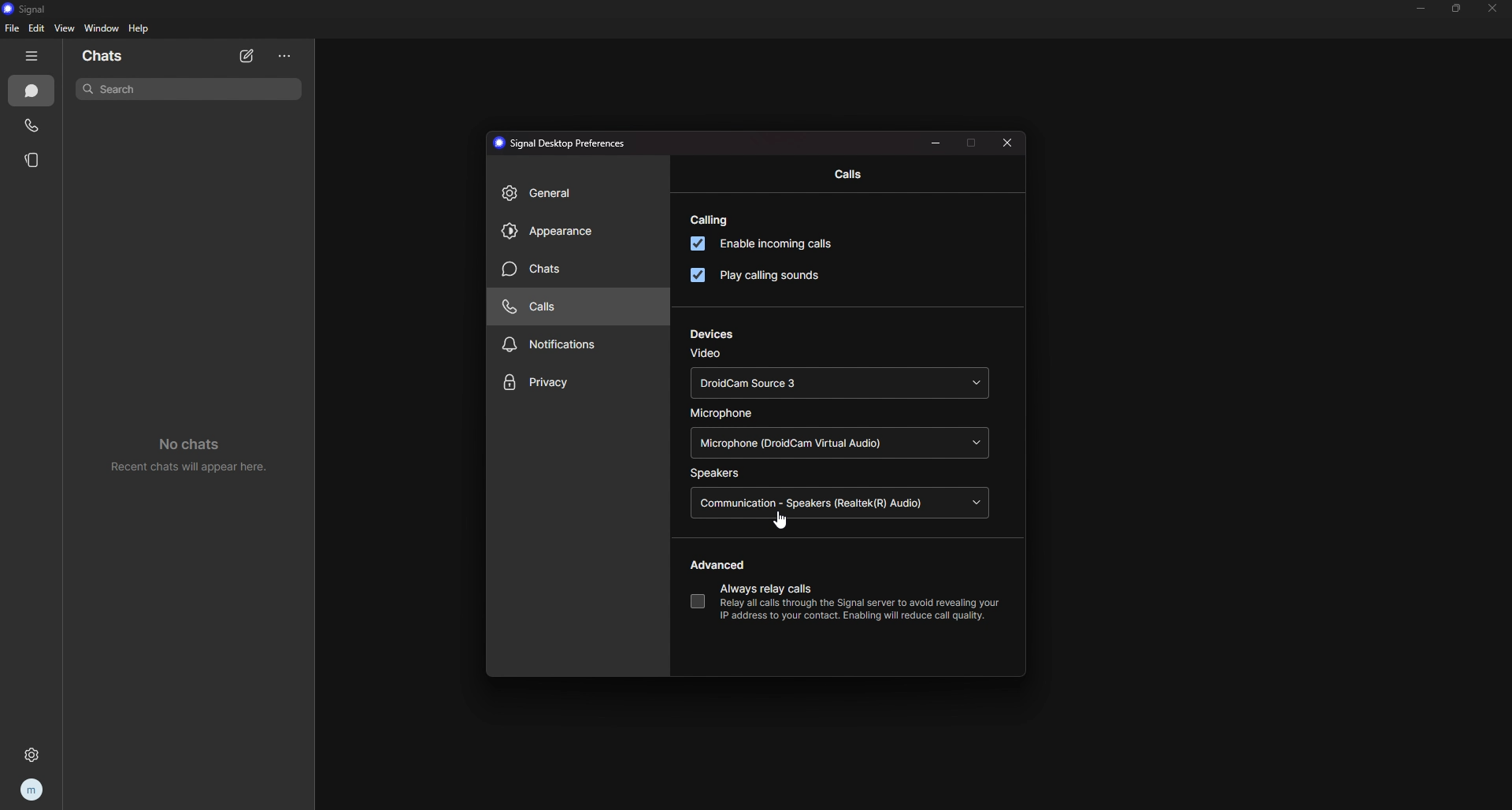 The height and width of the screenshot is (810, 1512). I want to click on resize, so click(936, 143).